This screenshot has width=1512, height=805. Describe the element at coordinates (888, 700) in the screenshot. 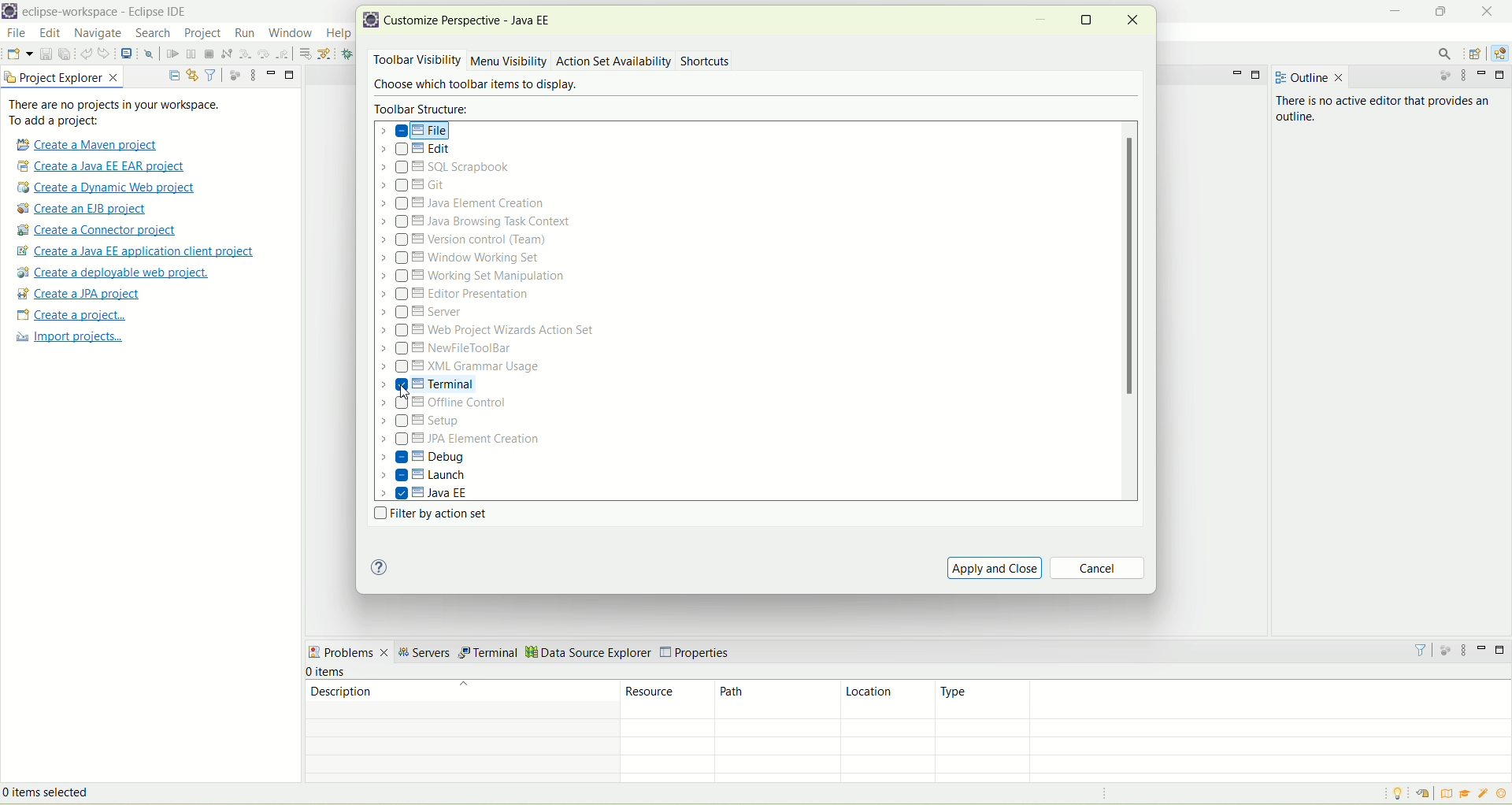

I see `location` at that location.